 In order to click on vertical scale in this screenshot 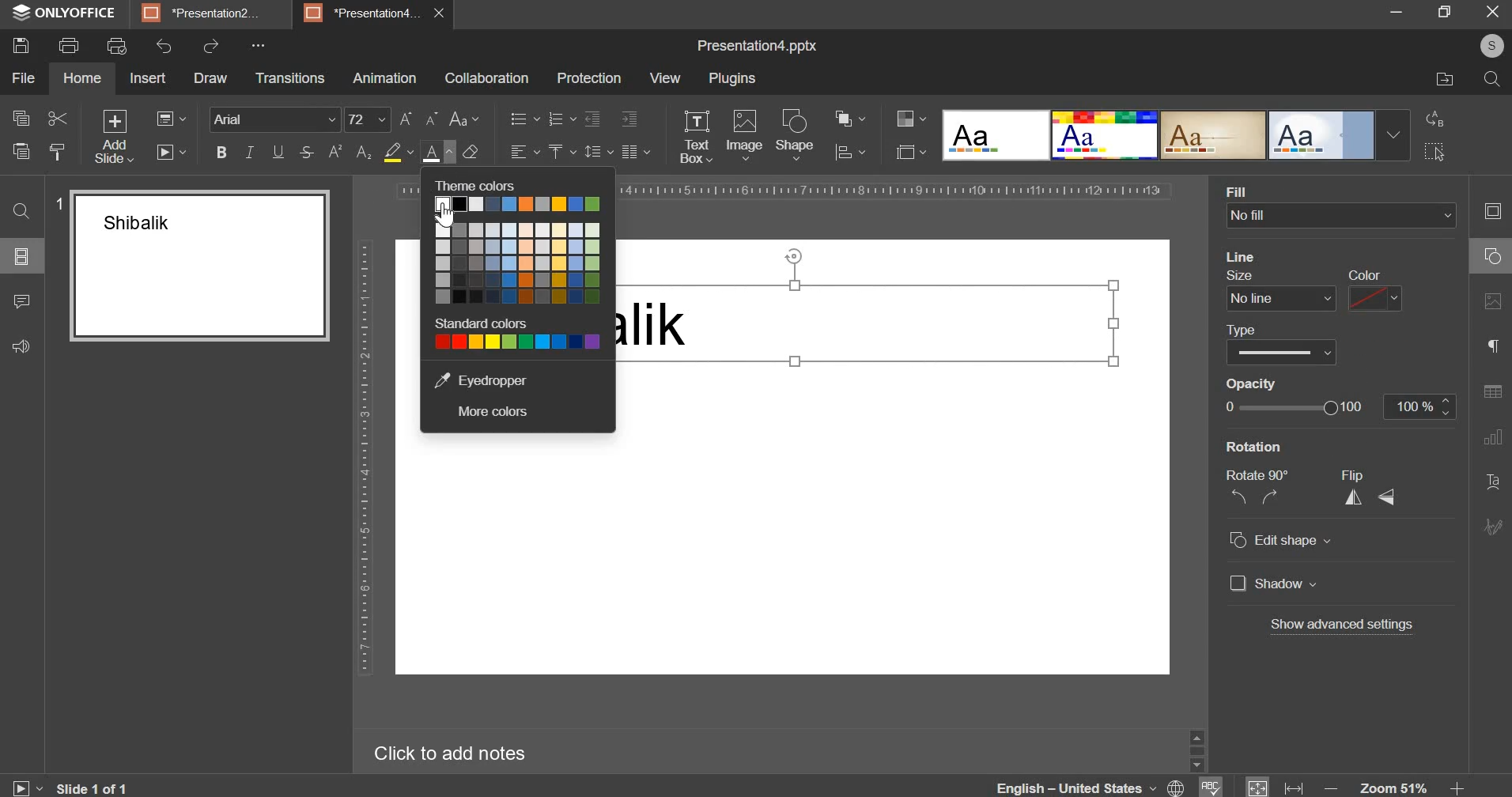, I will do `click(365, 458)`.